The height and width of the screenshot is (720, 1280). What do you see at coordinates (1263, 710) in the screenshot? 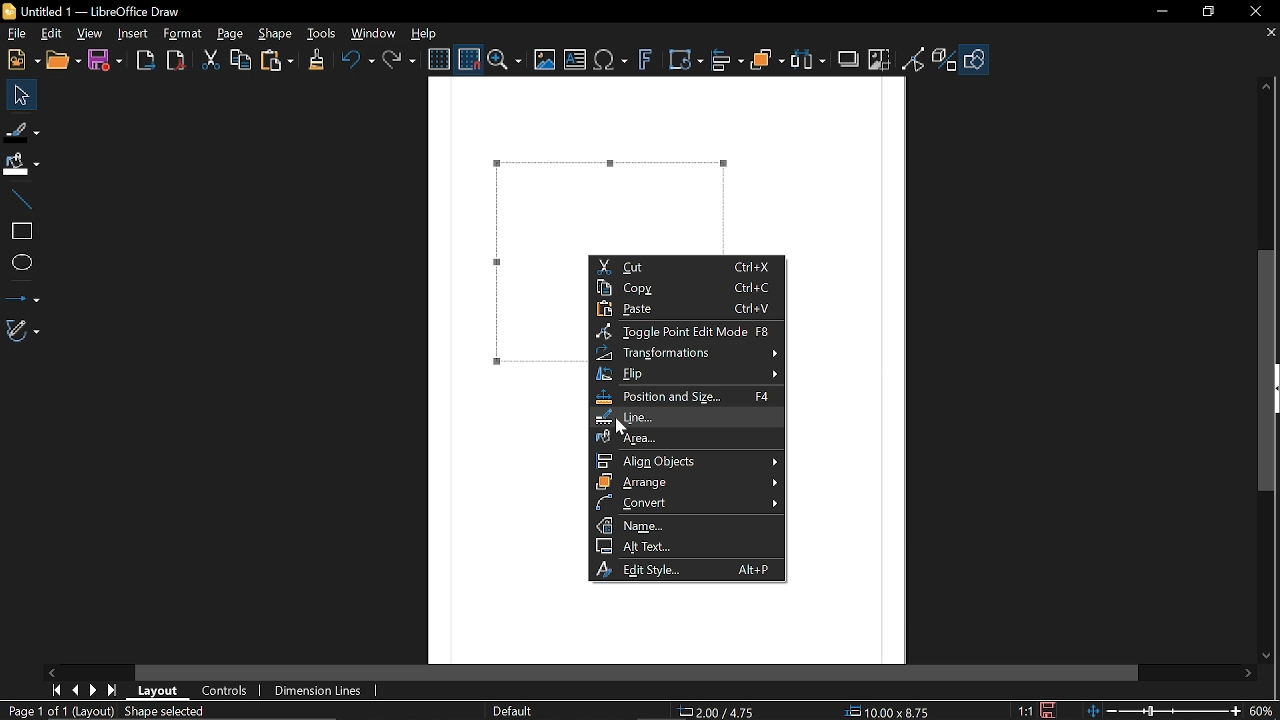
I see `Current zoom` at bounding box center [1263, 710].